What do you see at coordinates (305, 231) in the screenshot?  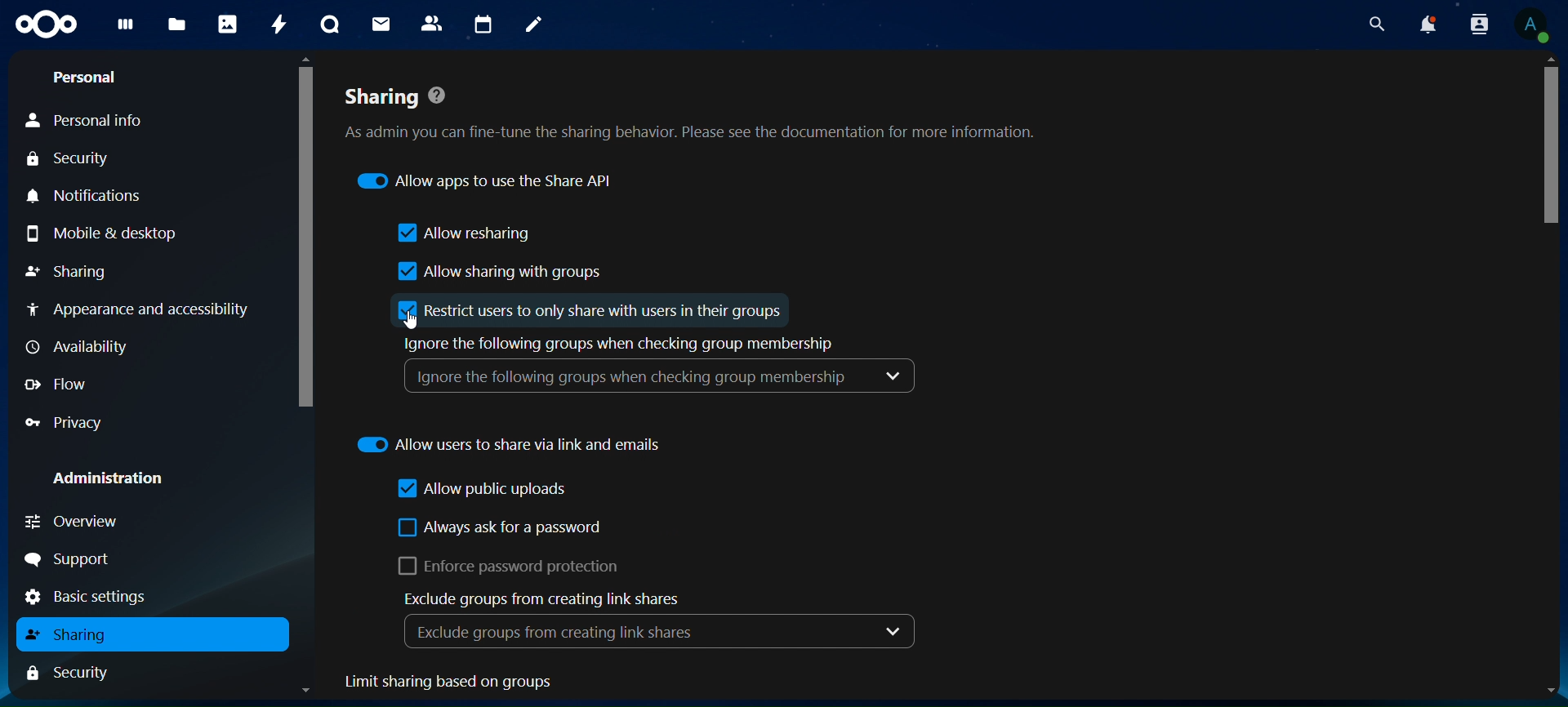 I see `scrollbar` at bounding box center [305, 231].